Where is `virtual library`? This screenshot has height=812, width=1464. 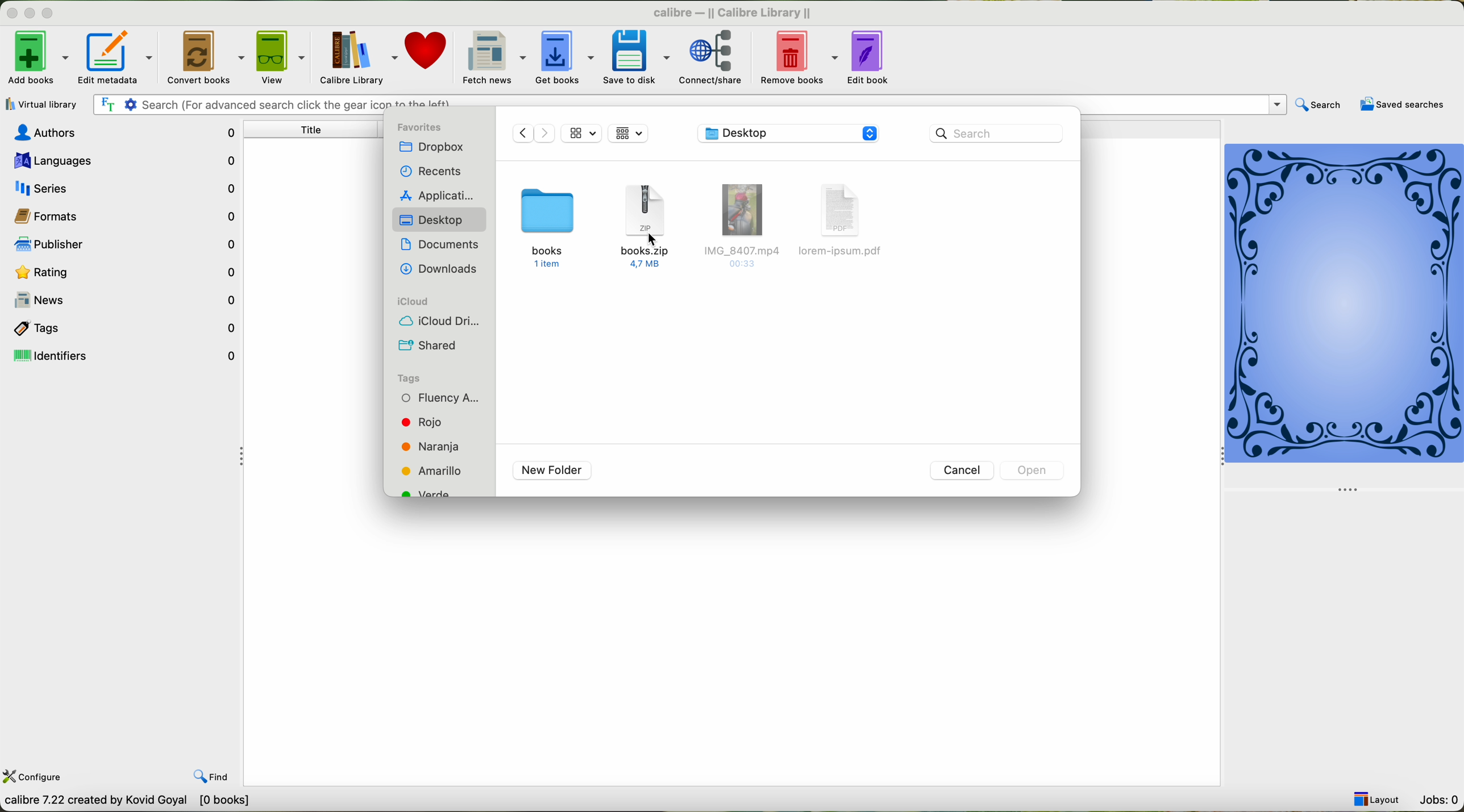
virtual library is located at coordinates (41, 104).